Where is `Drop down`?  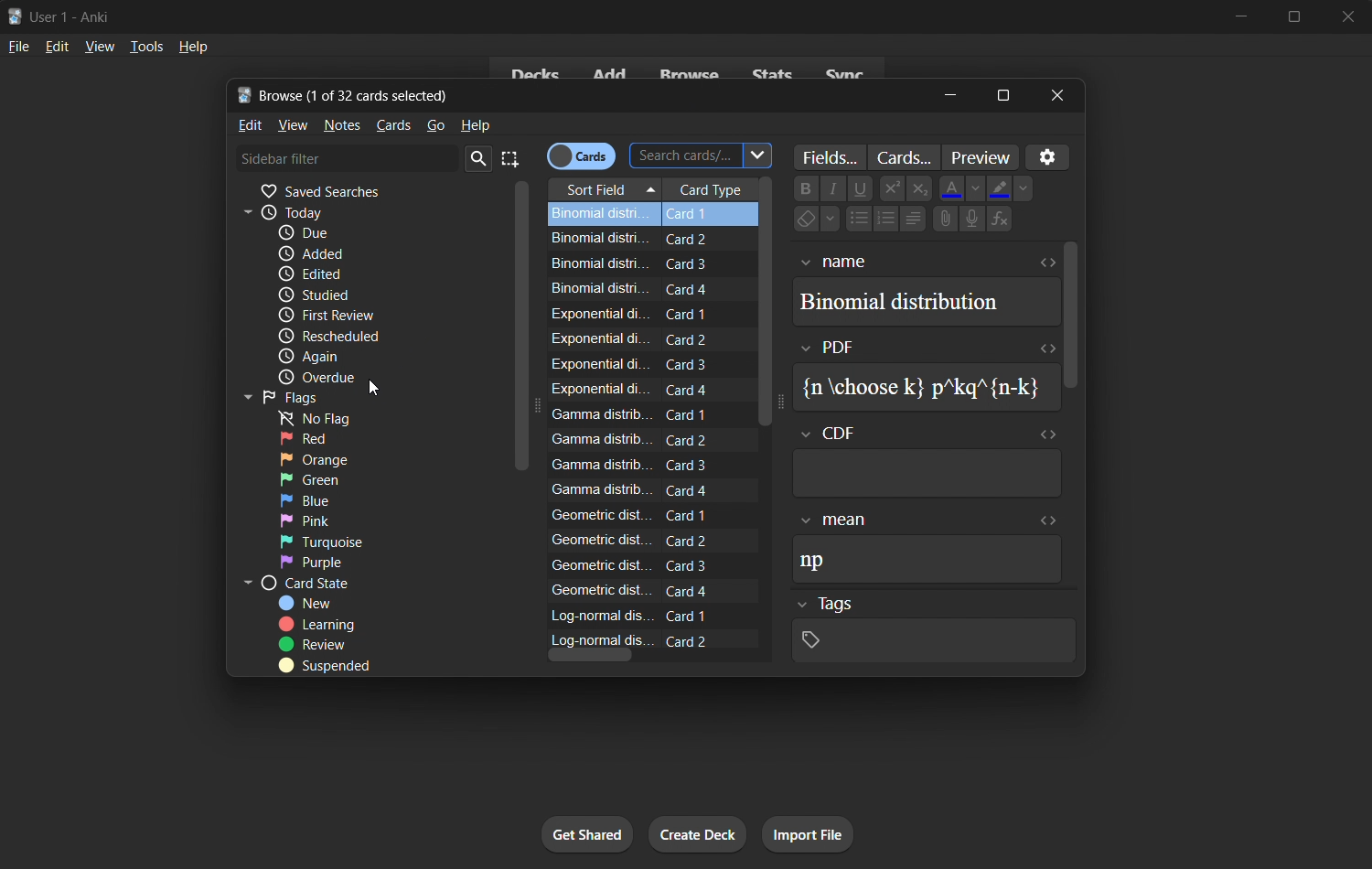
Drop down is located at coordinates (807, 261).